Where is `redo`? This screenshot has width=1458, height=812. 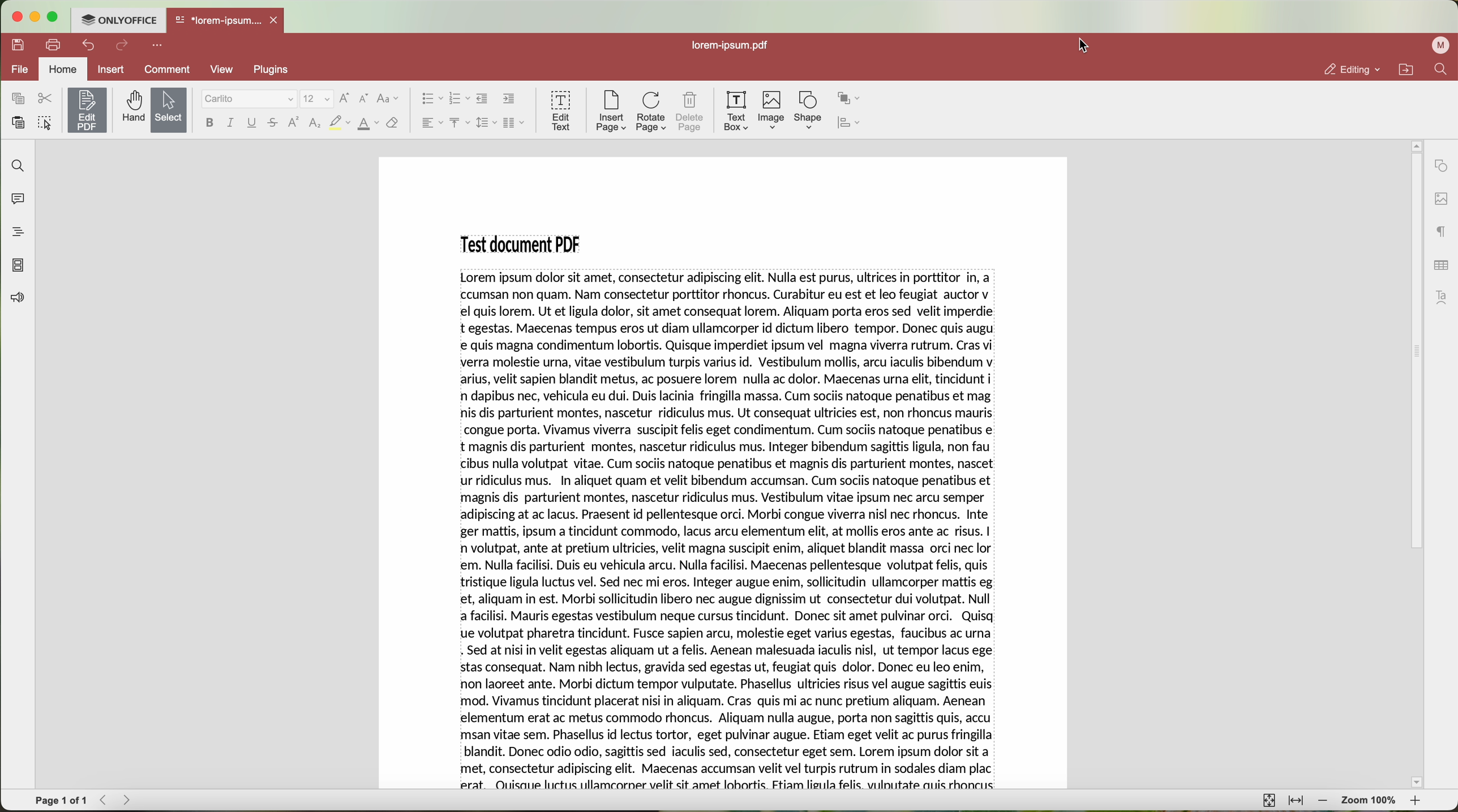
redo is located at coordinates (123, 46).